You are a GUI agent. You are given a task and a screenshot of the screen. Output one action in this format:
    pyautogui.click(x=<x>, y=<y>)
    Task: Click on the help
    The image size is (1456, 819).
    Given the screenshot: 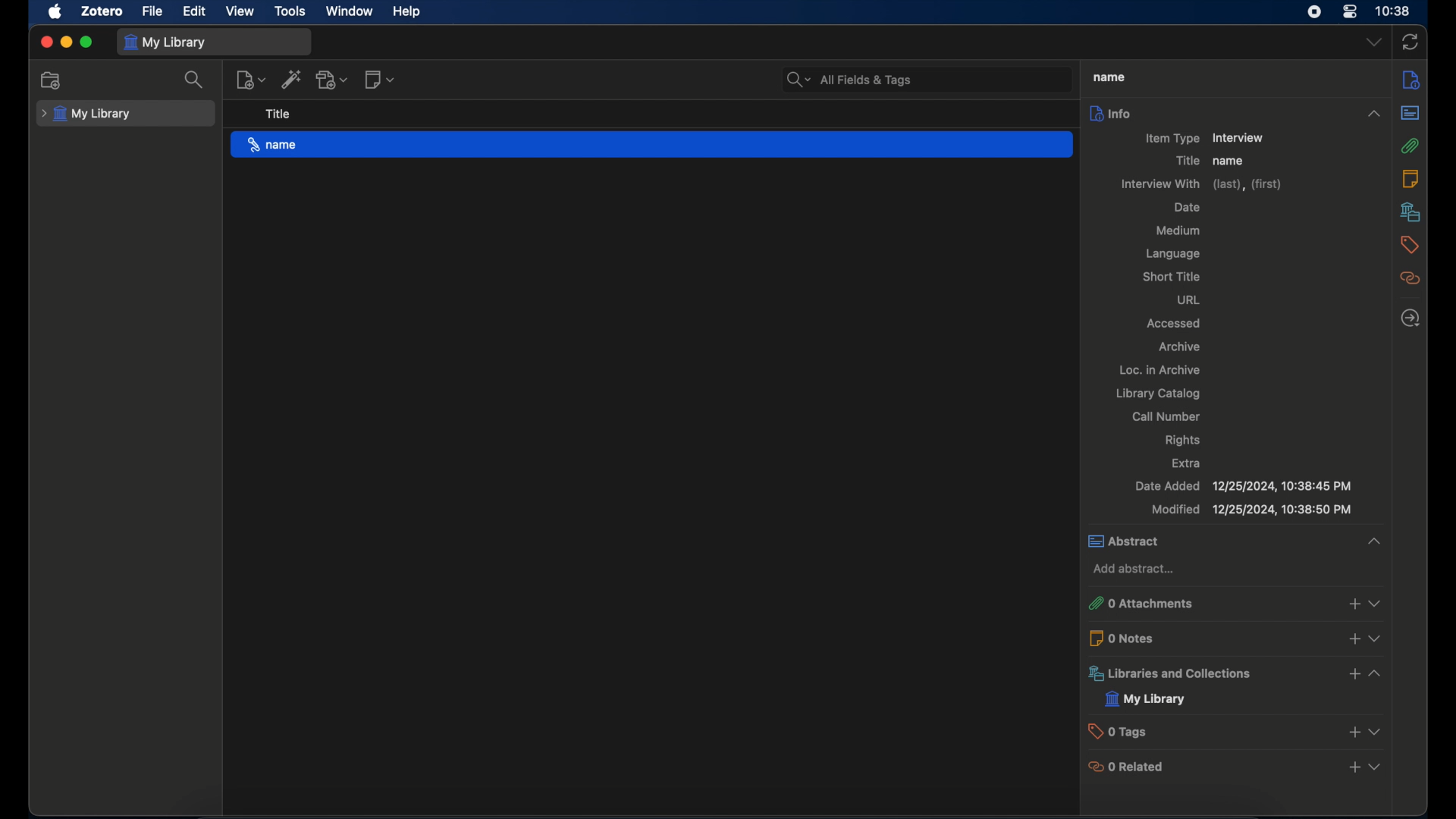 What is the action you would take?
    pyautogui.click(x=408, y=12)
    